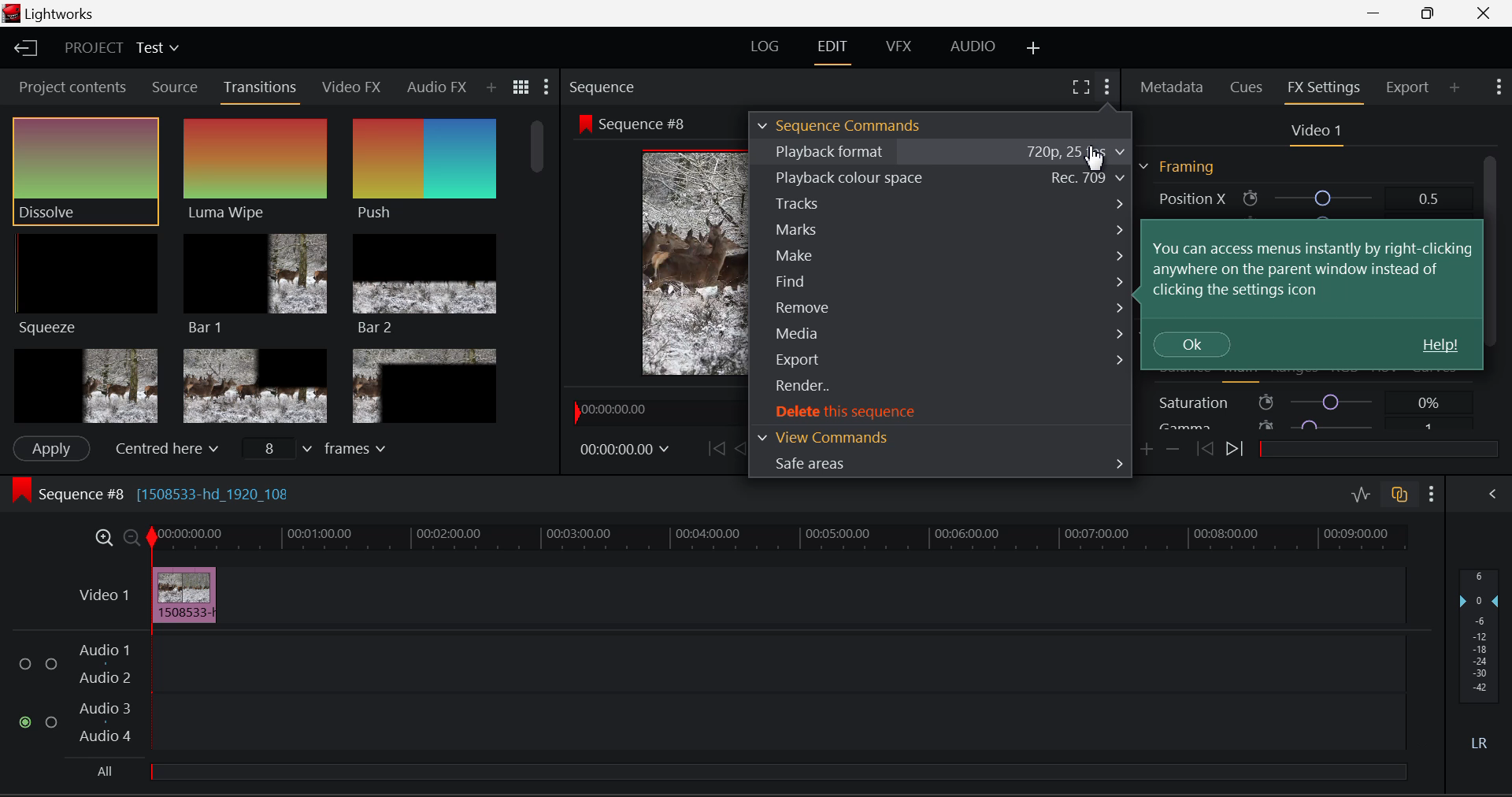 The width and height of the screenshot is (1512, 797). I want to click on Minimize, so click(1430, 13).